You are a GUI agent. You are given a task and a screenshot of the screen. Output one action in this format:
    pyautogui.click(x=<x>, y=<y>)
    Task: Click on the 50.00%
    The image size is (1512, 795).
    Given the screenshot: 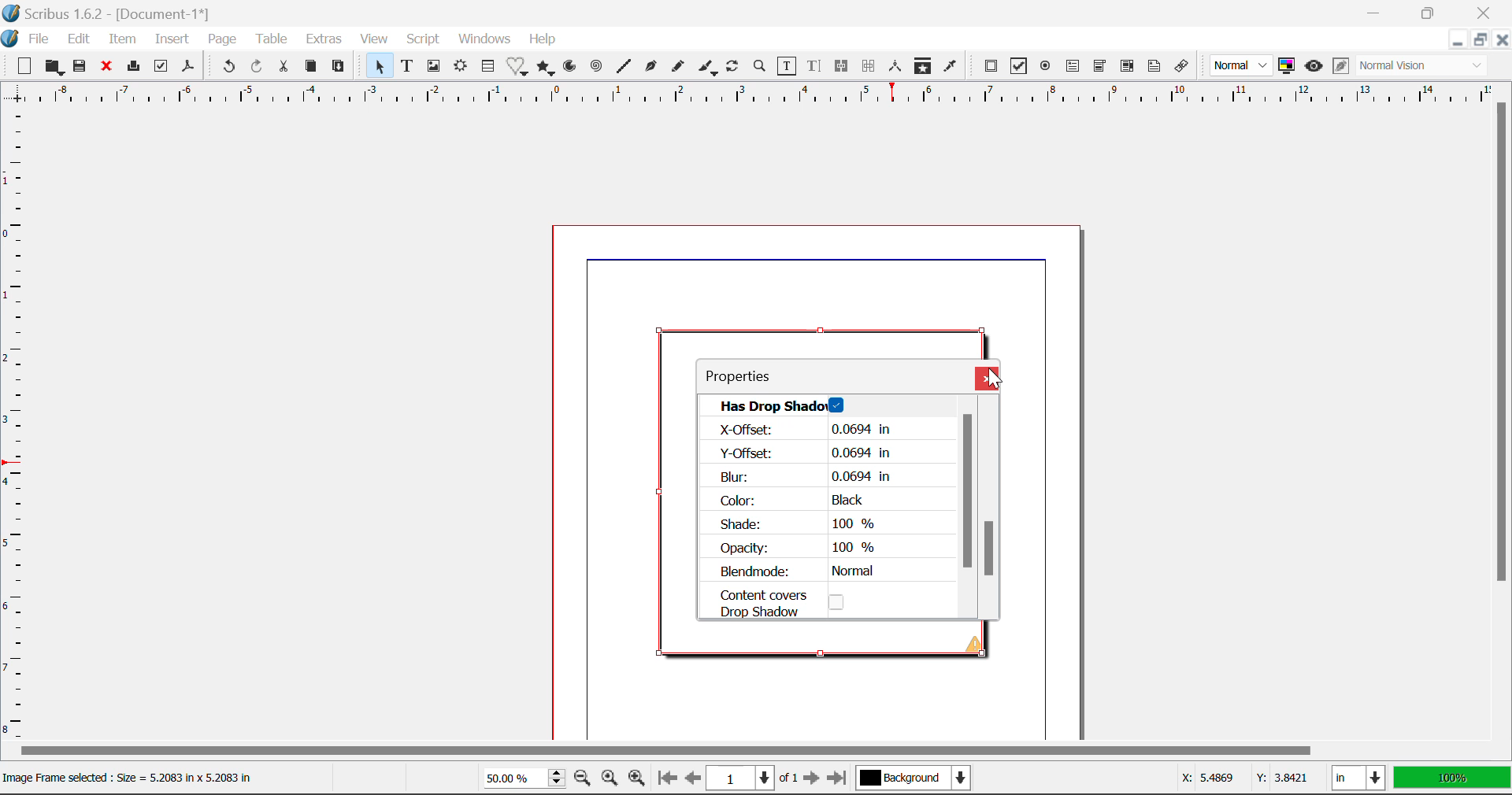 What is the action you would take?
    pyautogui.click(x=521, y=777)
    